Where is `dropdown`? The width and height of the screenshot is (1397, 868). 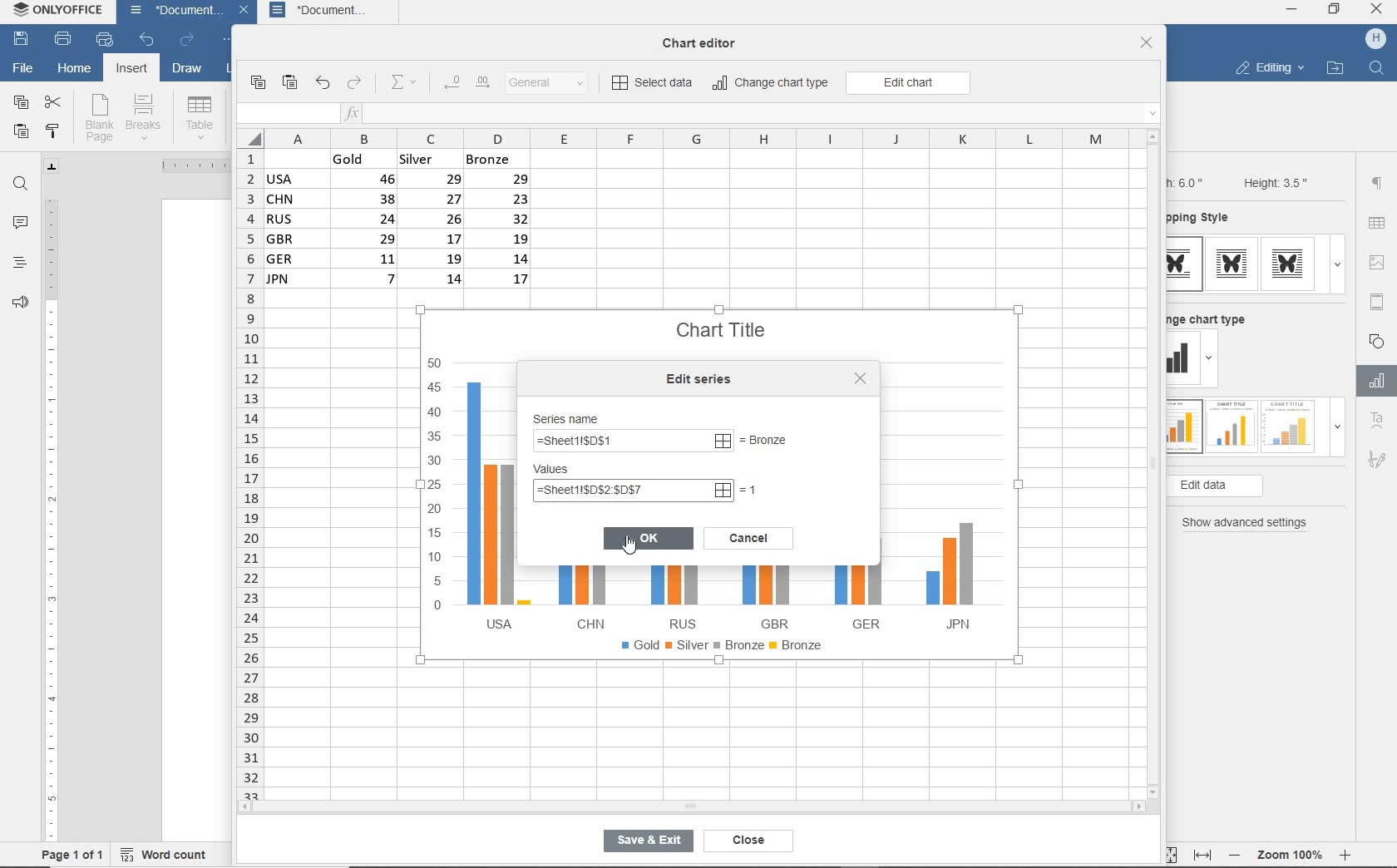 dropdown is located at coordinates (1212, 361).